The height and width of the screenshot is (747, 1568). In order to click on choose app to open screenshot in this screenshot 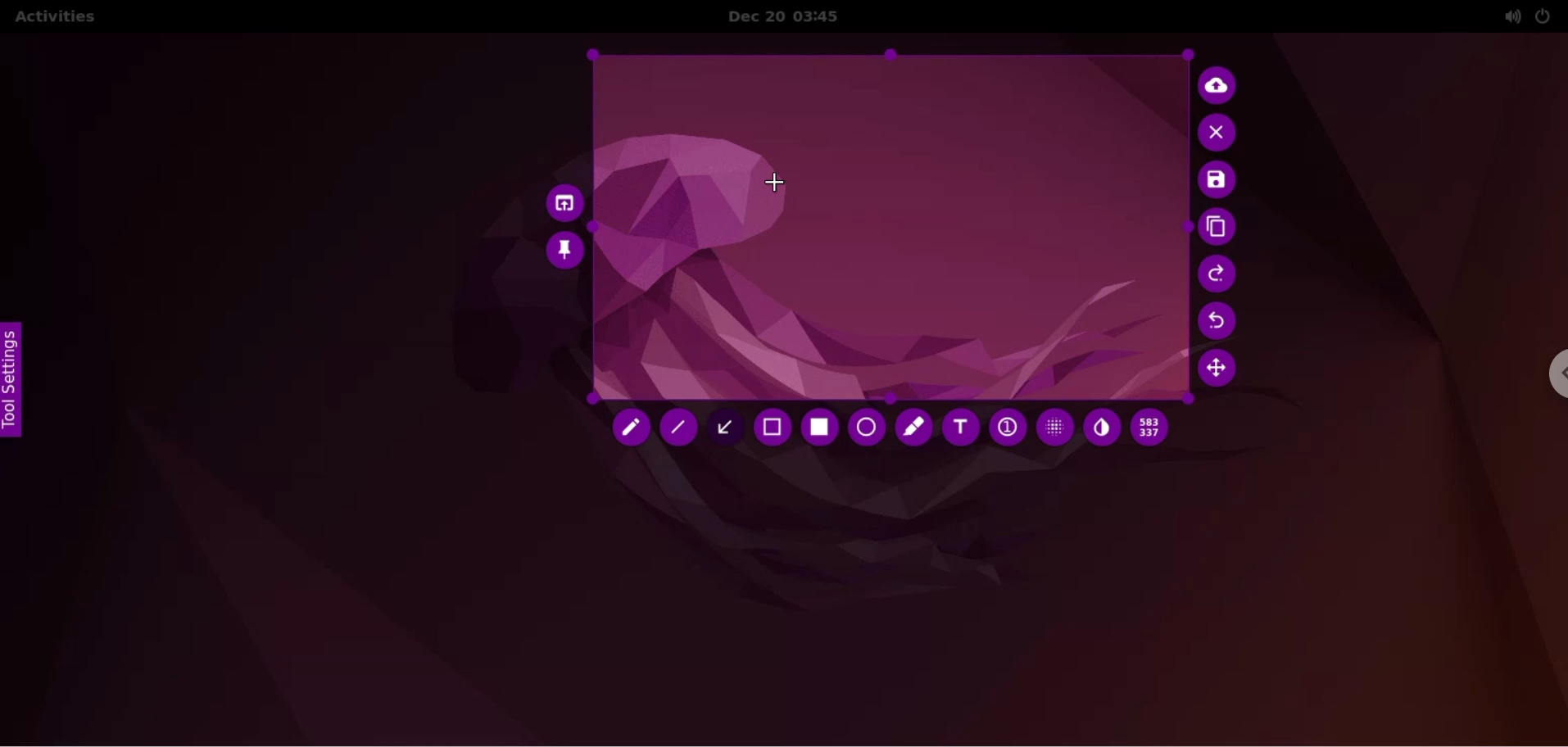, I will do `click(560, 200)`.